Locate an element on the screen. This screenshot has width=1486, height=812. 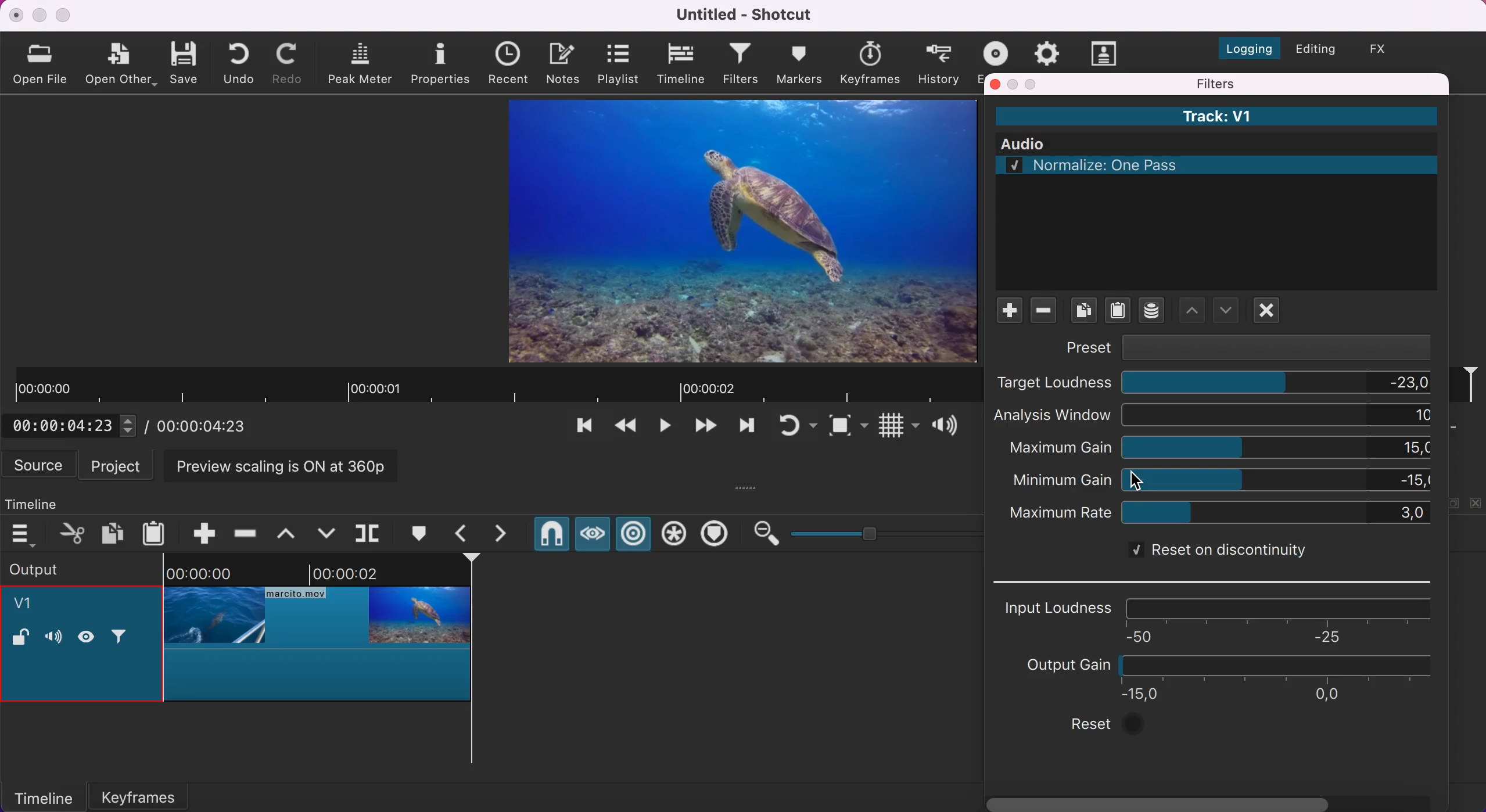
redo is located at coordinates (290, 63).